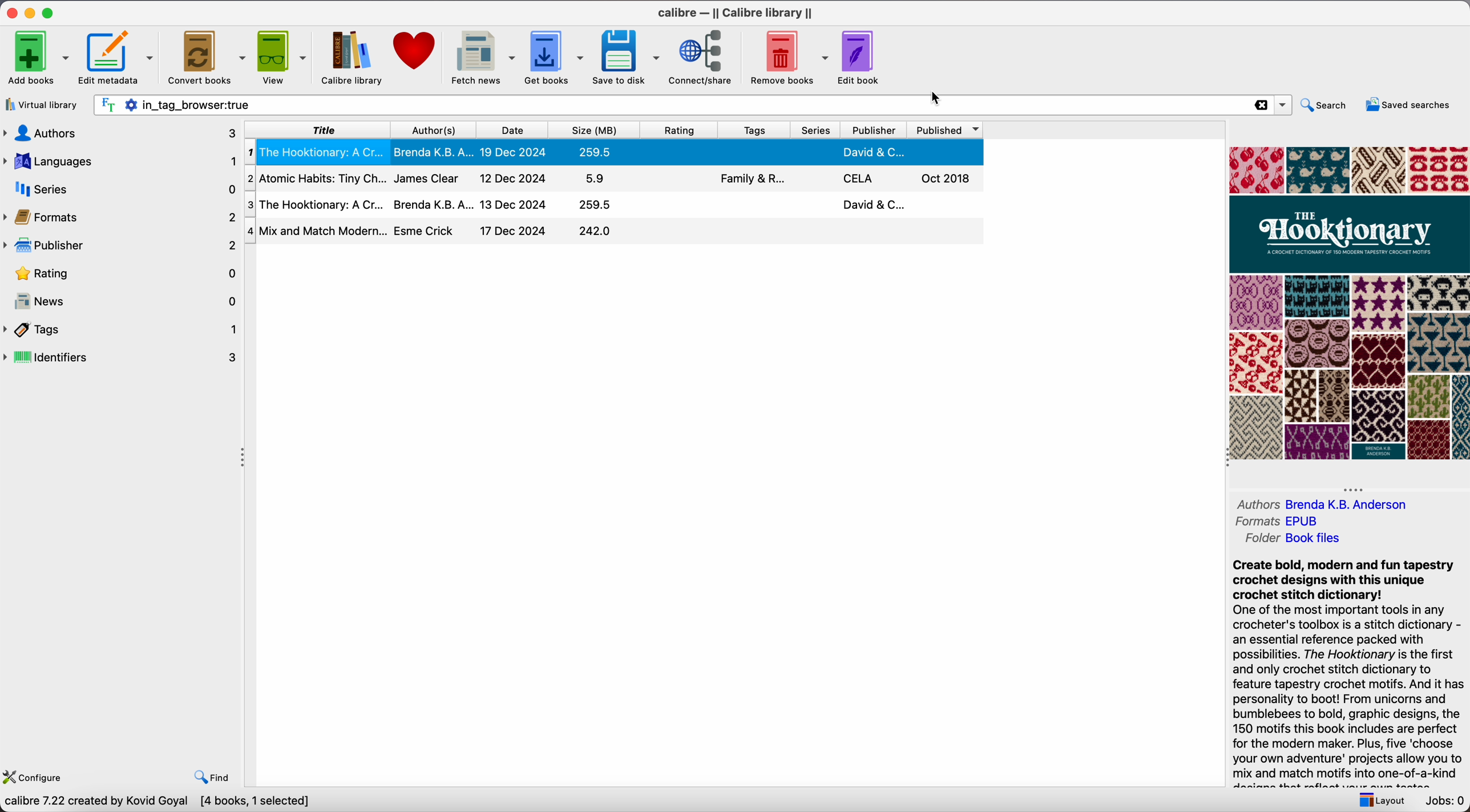 The width and height of the screenshot is (1470, 812). I want to click on Oct 2018, so click(947, 180).